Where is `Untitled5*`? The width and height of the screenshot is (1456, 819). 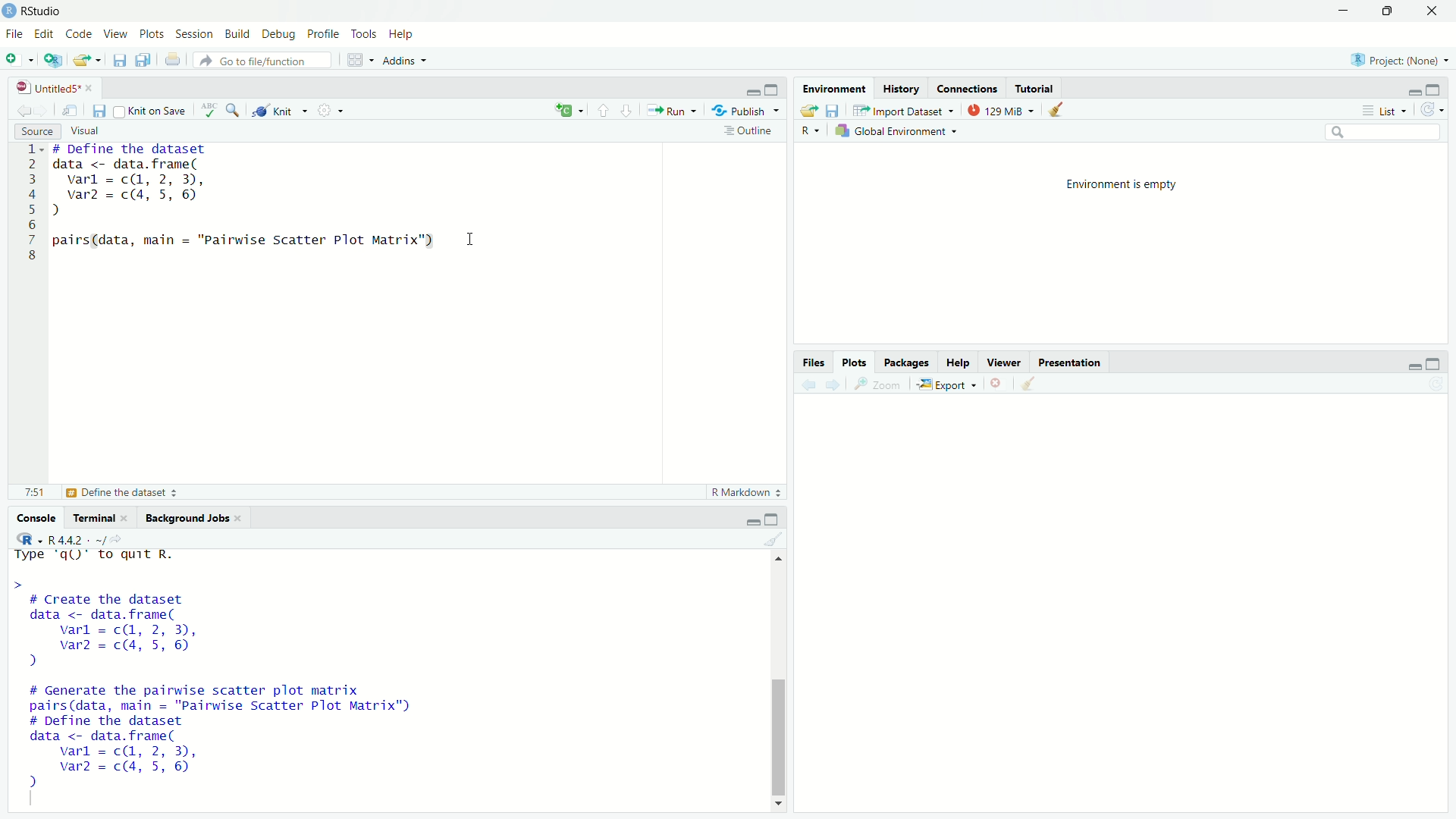
Untitled5* is located at coordinates (56, 88).